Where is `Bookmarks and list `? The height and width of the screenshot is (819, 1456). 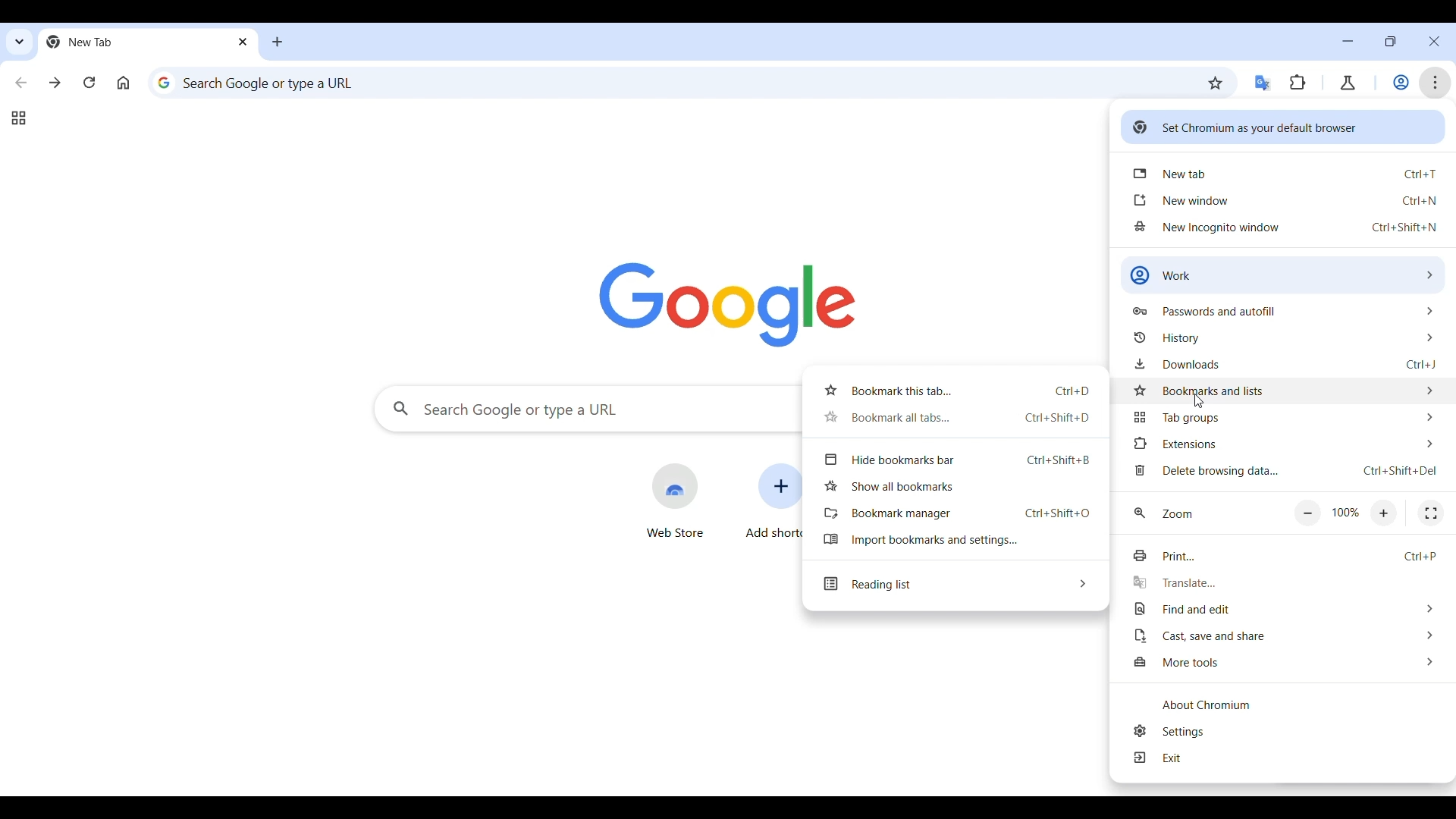 Bookmarks and list  is located at coordinates (1285, 389).